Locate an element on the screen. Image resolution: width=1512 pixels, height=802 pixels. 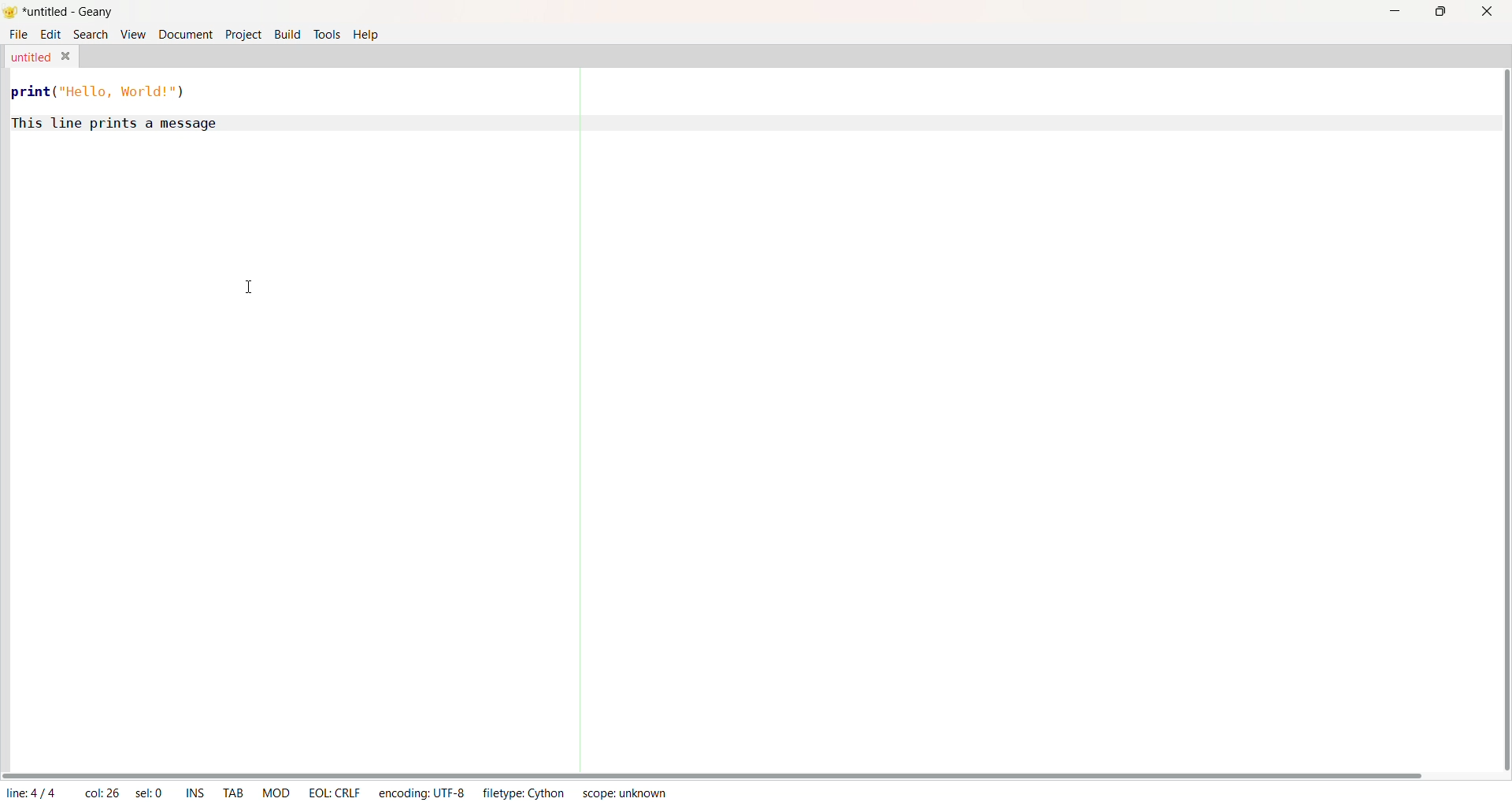
Search is located at coordinates (89, 35).